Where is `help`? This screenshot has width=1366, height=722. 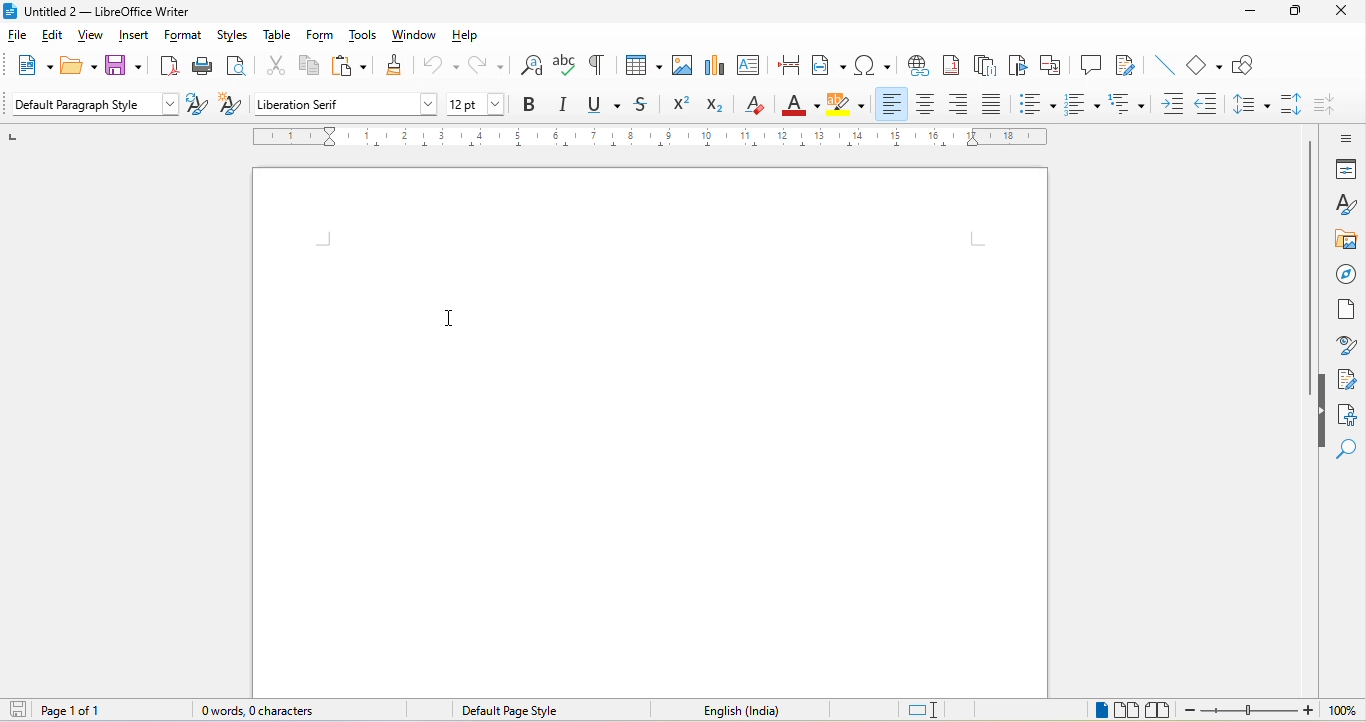
help is located at coordinates (470, 36).